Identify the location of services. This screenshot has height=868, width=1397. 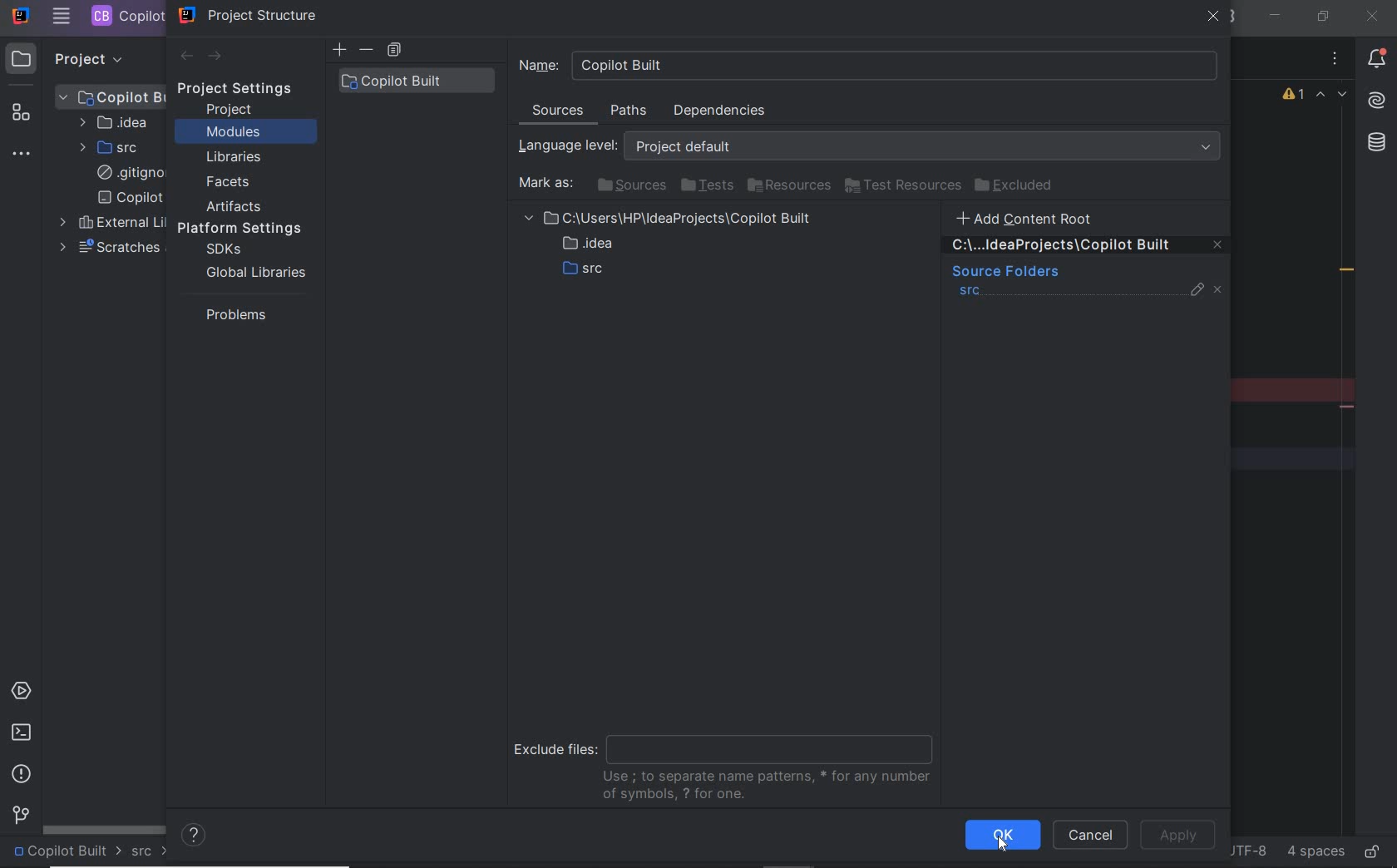
(23, 693).